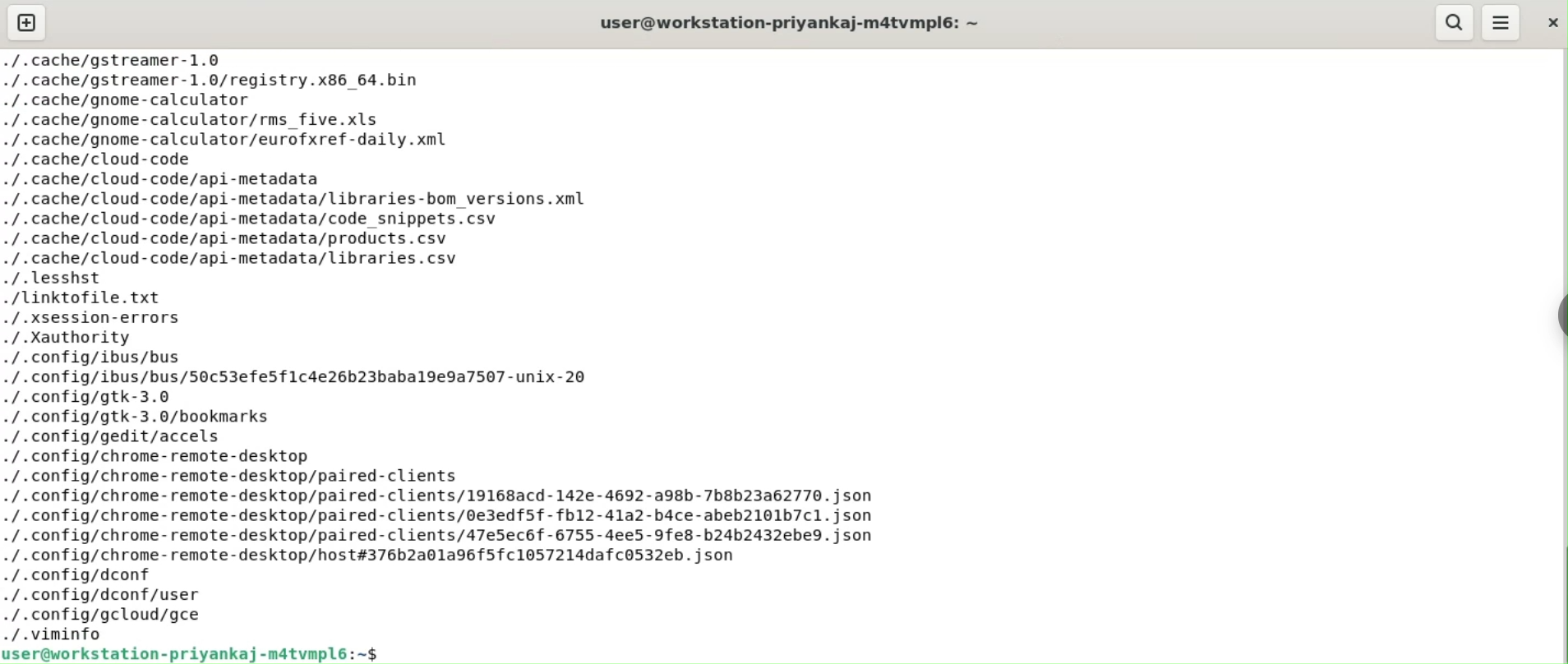 The width and height of the screenshot is (1568, 664). What do you see at coordinates (459, 562) in the screenshot?
I see `./.config/chrome-remote-desktop/paired-clients/19168acd-142e-4692-a98b-7b8b23a62770. jso
./.config/chrome-remote-desktop/paired-clients/@e3edf5f-fbl2-41a2-b4ce-abeb2101b7cl. jso
./.config/chrome-remote-desktop/paired-clients/47e5ec6f-6755-4ee5-9fe8-b24b2432ebe9. jso
./.config/chrome-remote-desktop/host#376b2a01a96f5fc1057214dafce532eb. json
./.config/dconf

./.config/dconf/user

./.config/gcloud/gce

/ yviminfo` at bounding box center [459, 562].